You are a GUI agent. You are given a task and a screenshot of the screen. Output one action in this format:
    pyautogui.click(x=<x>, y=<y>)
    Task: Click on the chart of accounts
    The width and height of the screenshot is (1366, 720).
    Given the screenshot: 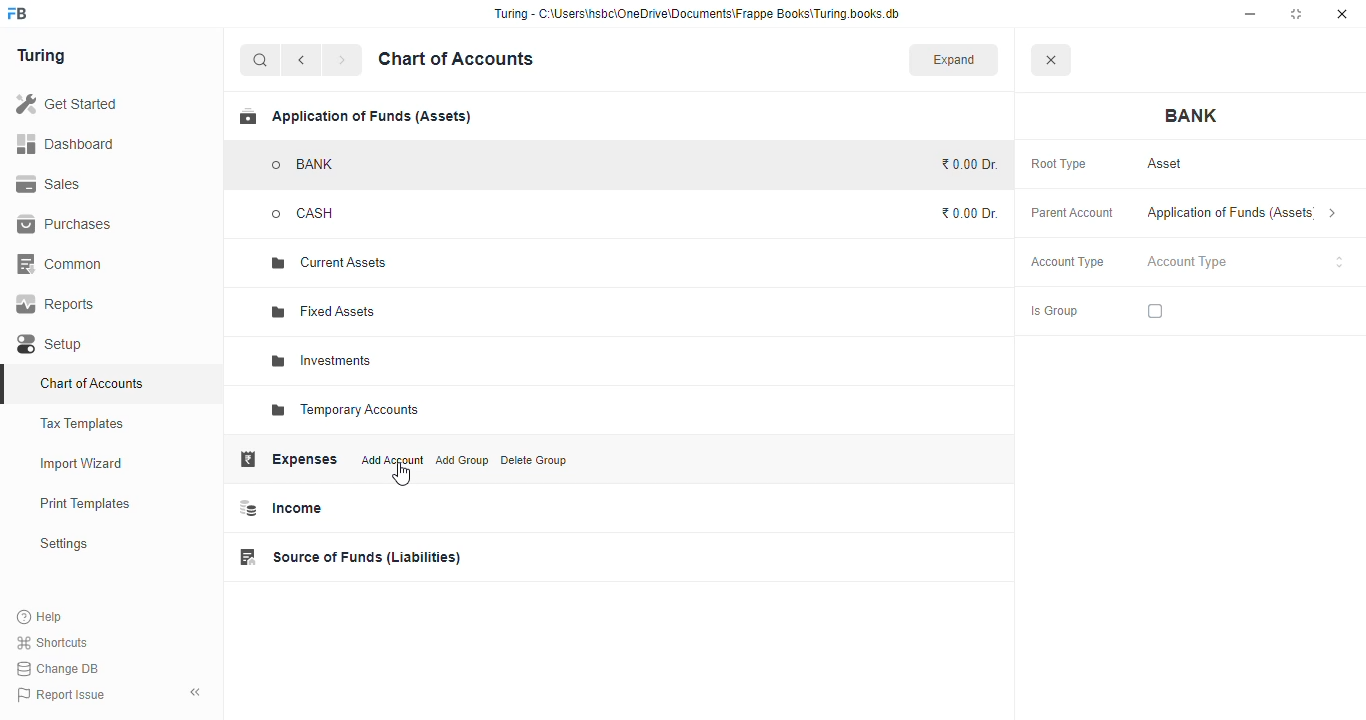 What is the action you would take?
    pyautogui.click(x=92, y=383)
    